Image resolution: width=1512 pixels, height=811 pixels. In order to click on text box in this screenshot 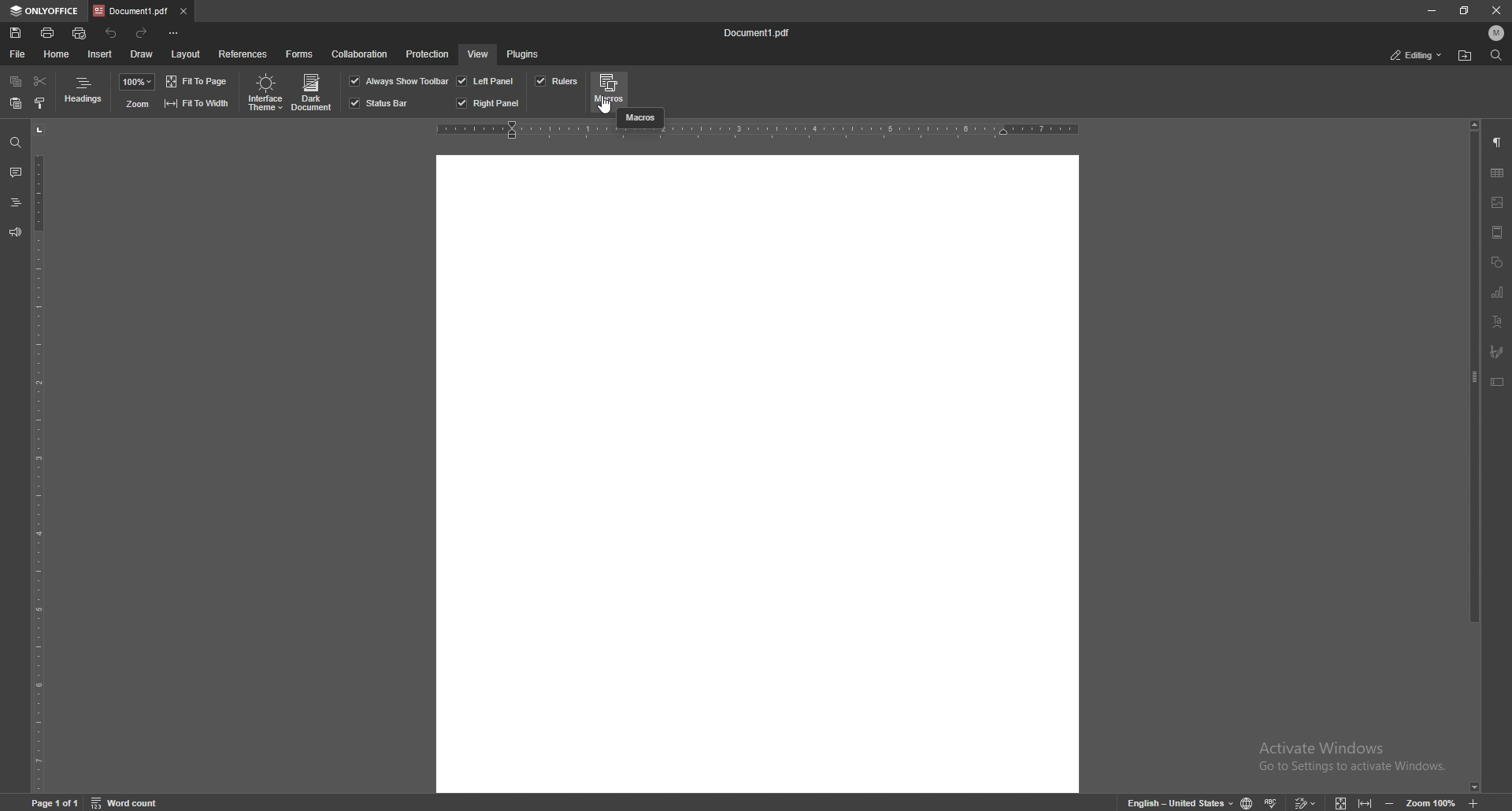, I will do `click(1498, 381)`.